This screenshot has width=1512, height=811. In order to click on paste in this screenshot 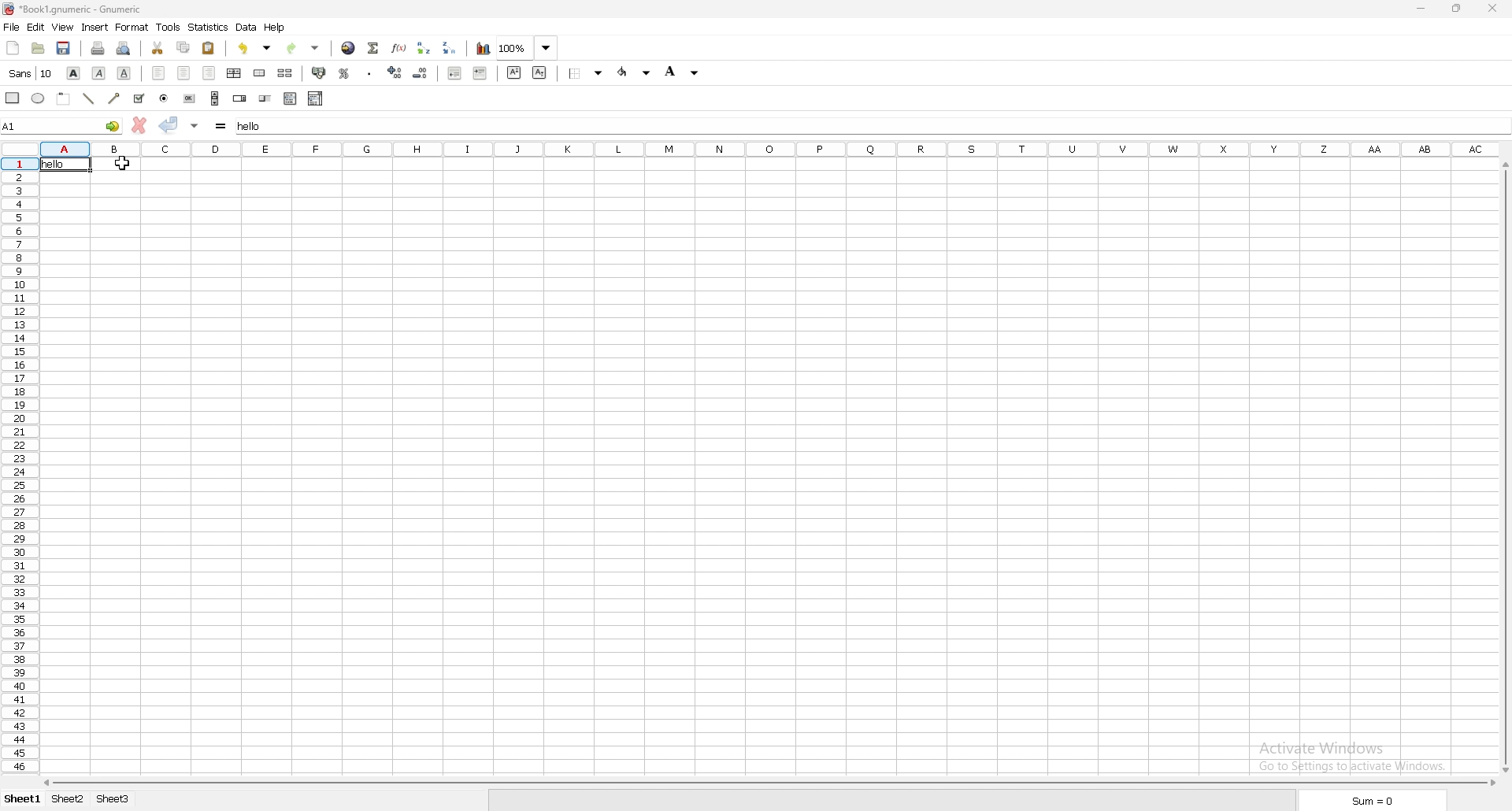, I will do `click(209, 49)`.